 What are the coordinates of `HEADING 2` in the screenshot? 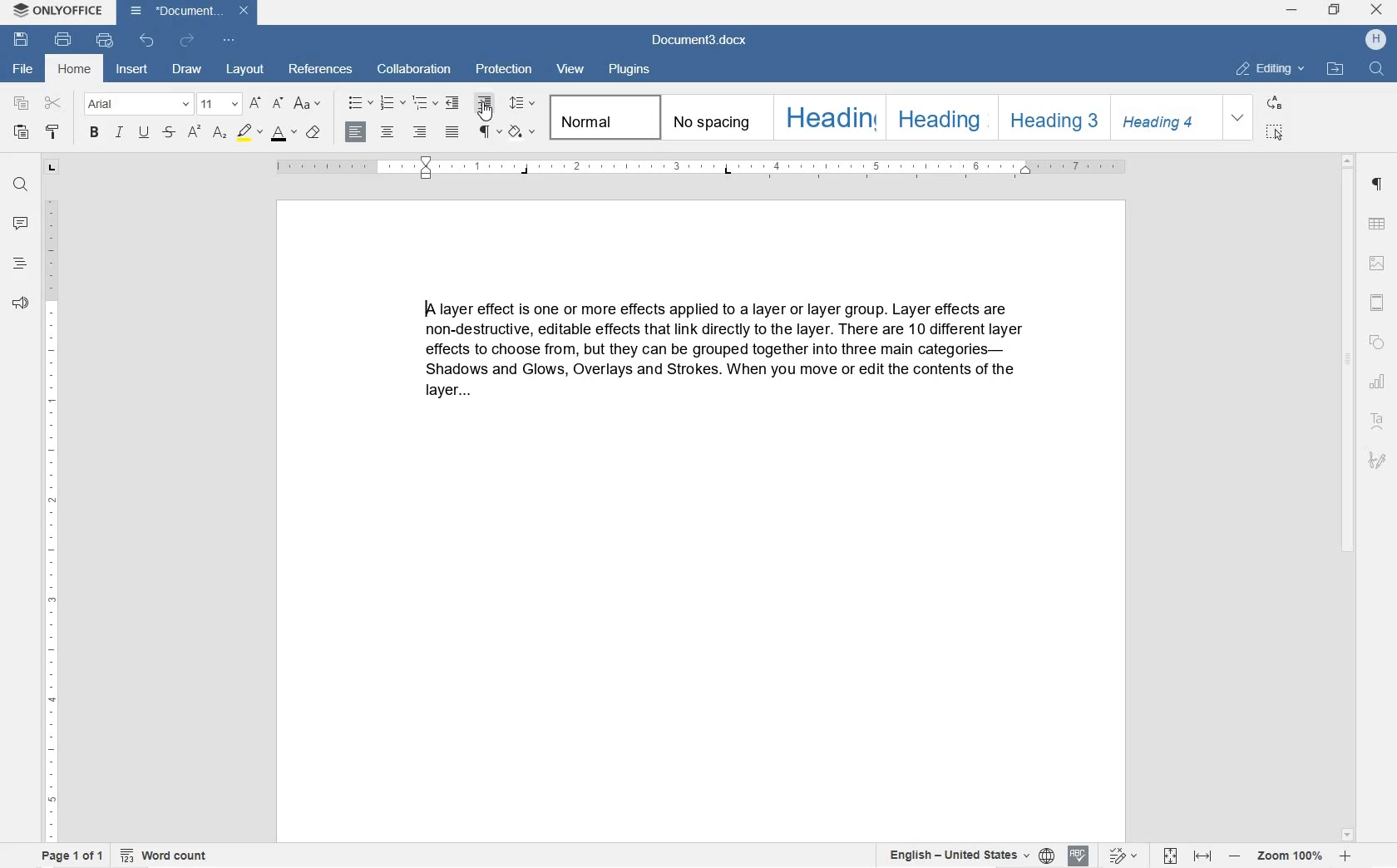 It's located at (940, 118).